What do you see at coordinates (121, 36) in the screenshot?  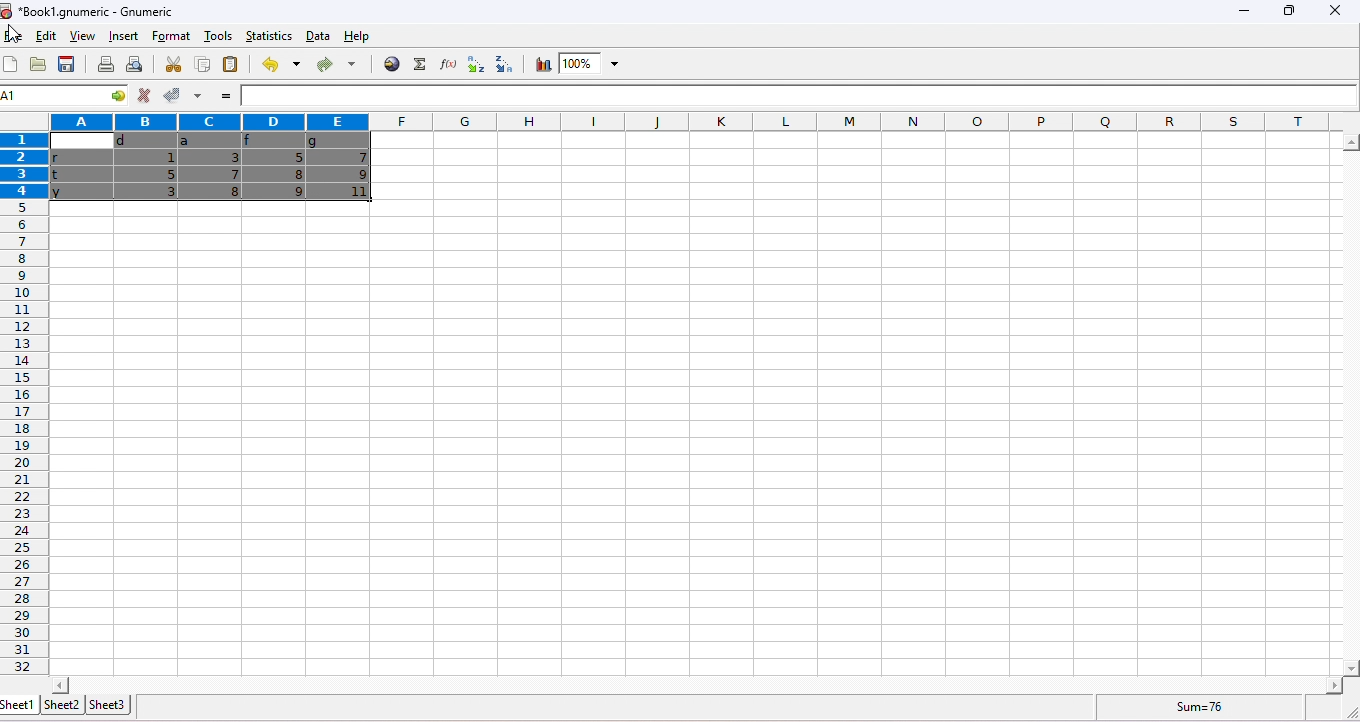 I see `insert` at bounding box center [121, 36].